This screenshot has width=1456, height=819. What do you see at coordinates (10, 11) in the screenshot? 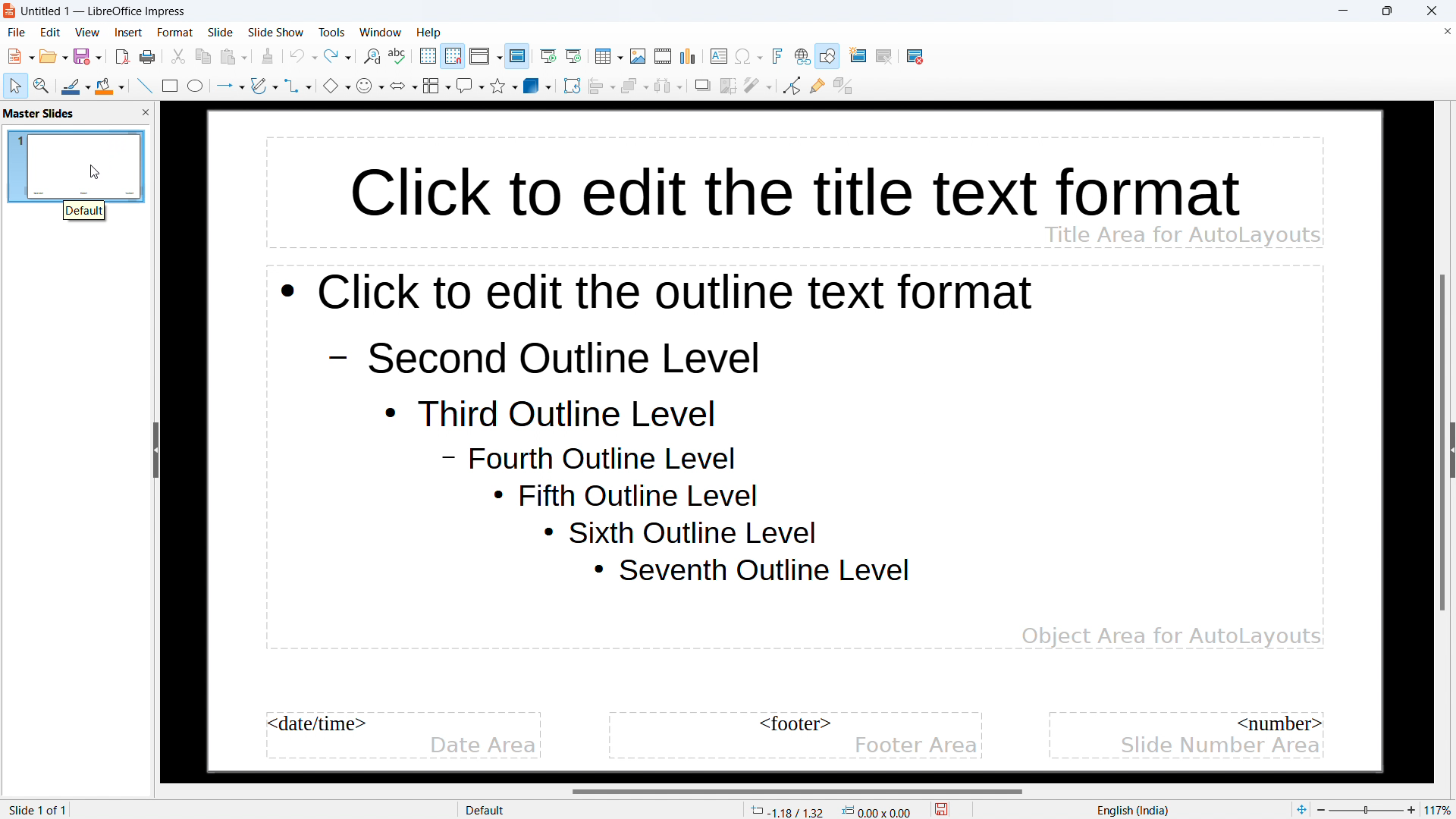
I see `logo` at bounding box center [10, 11].